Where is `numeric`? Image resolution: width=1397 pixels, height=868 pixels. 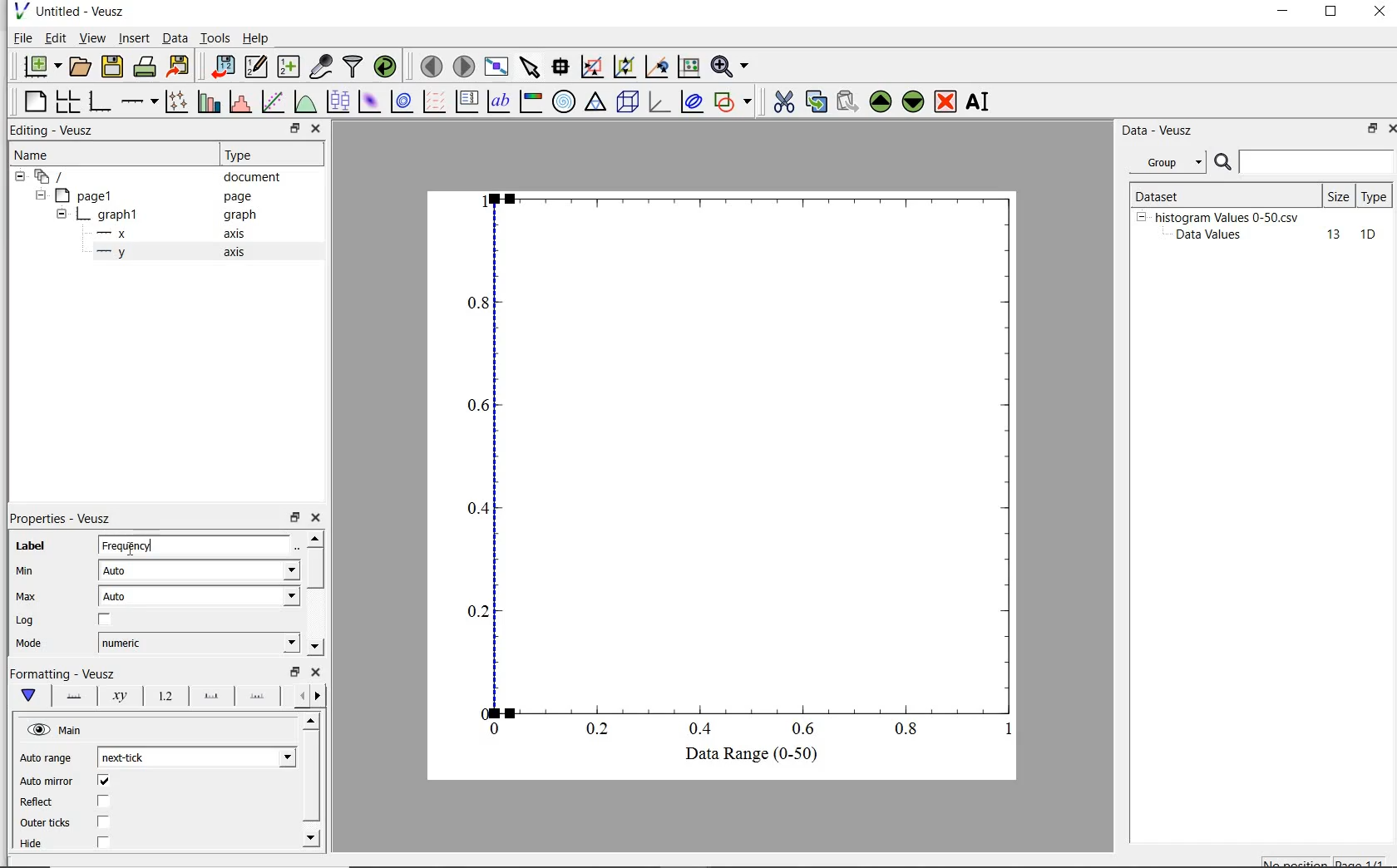
numeric is located at coordinates (197, 643).